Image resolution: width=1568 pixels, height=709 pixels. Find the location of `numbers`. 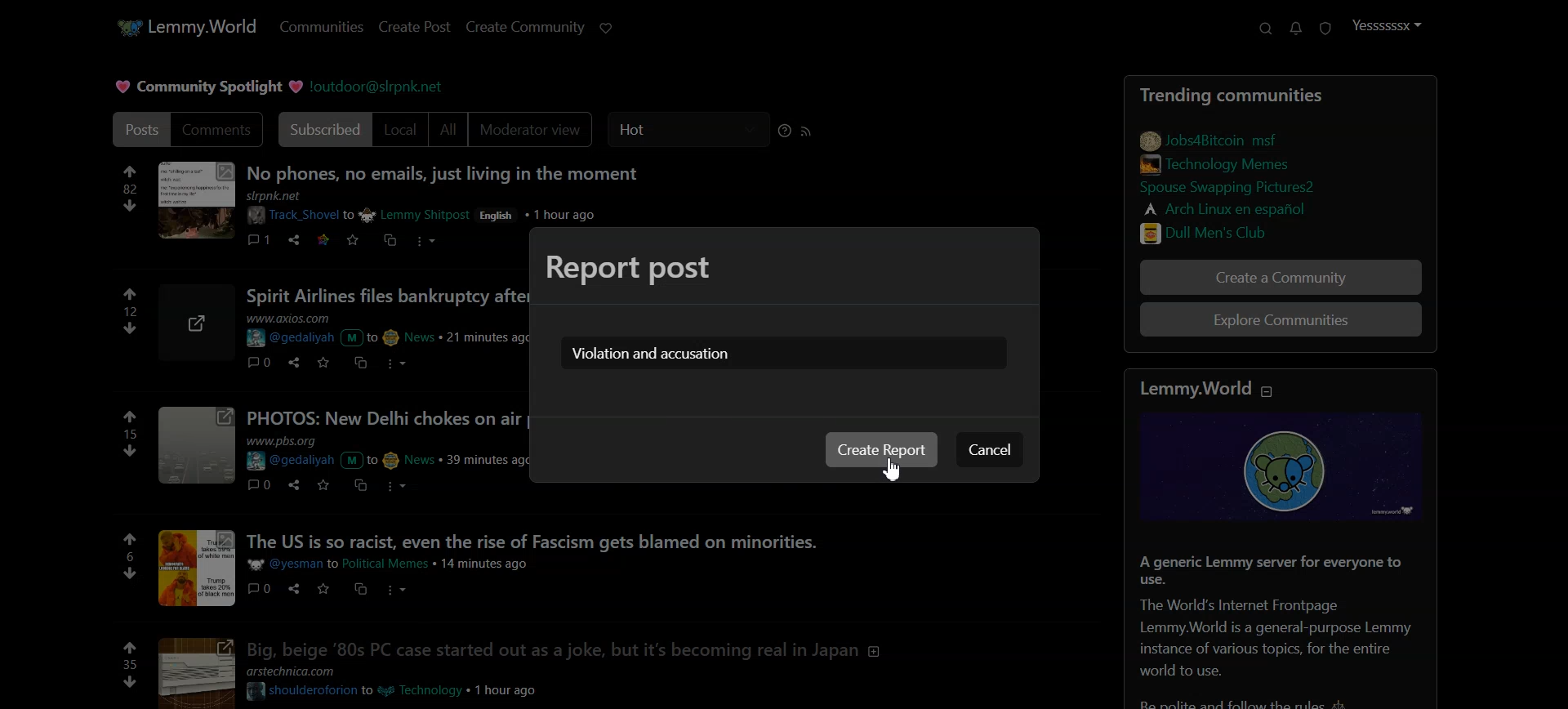

numbers is located at coordinates (129, 556).